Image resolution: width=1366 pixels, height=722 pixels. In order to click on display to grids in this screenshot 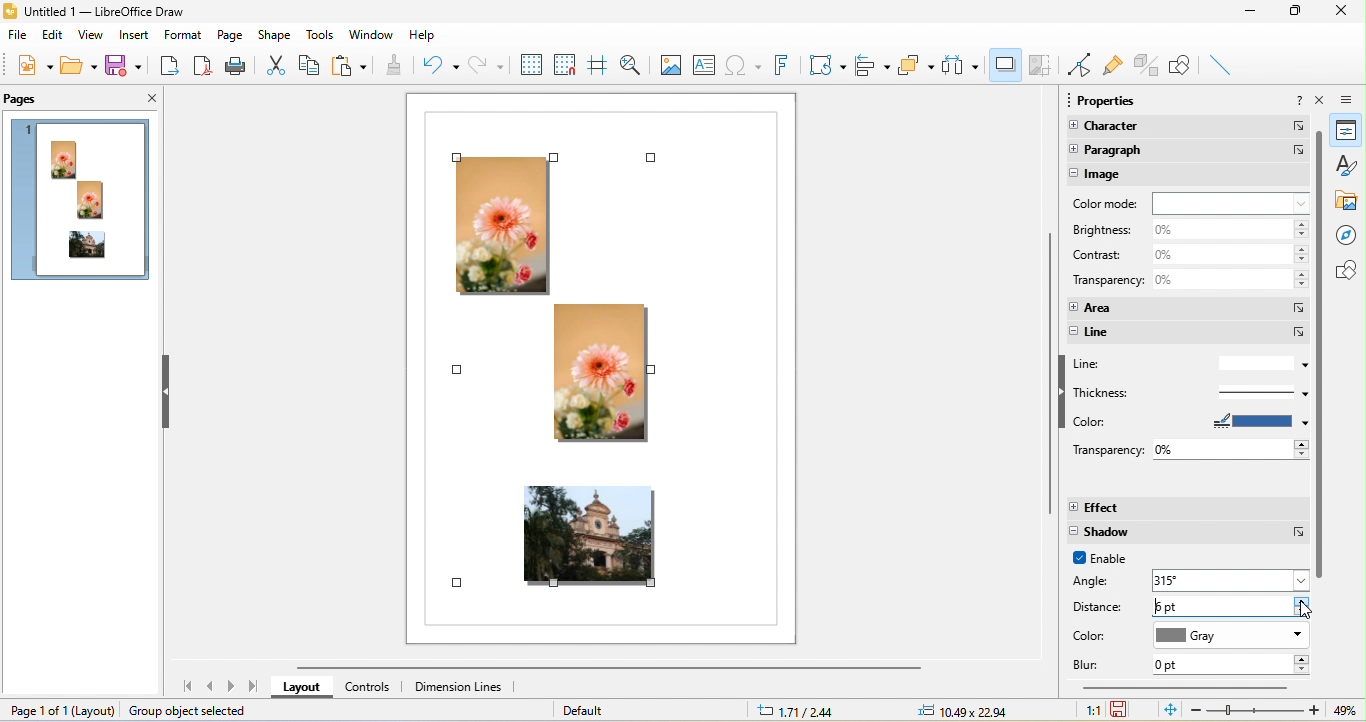, I will do `click(530, 64)`.